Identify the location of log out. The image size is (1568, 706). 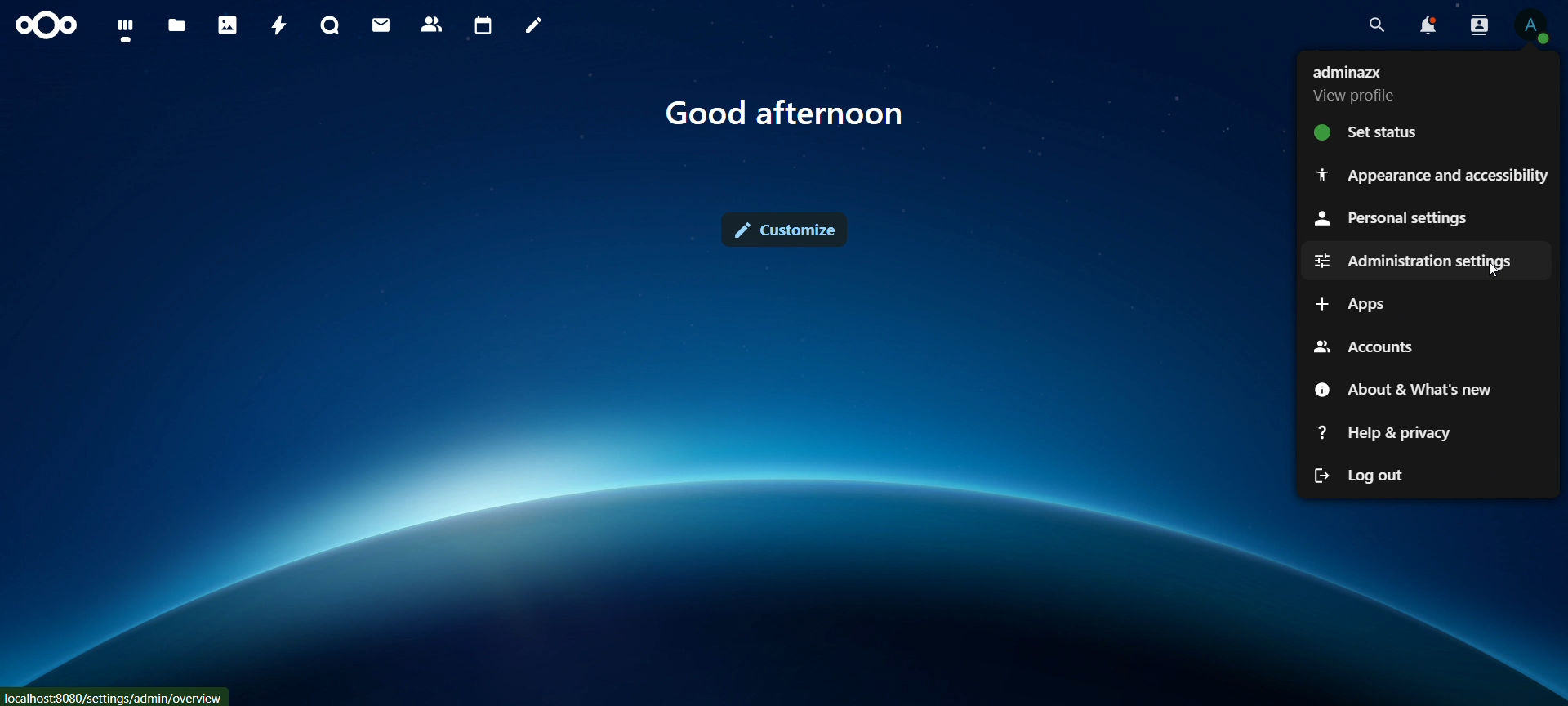
(1359, 476).